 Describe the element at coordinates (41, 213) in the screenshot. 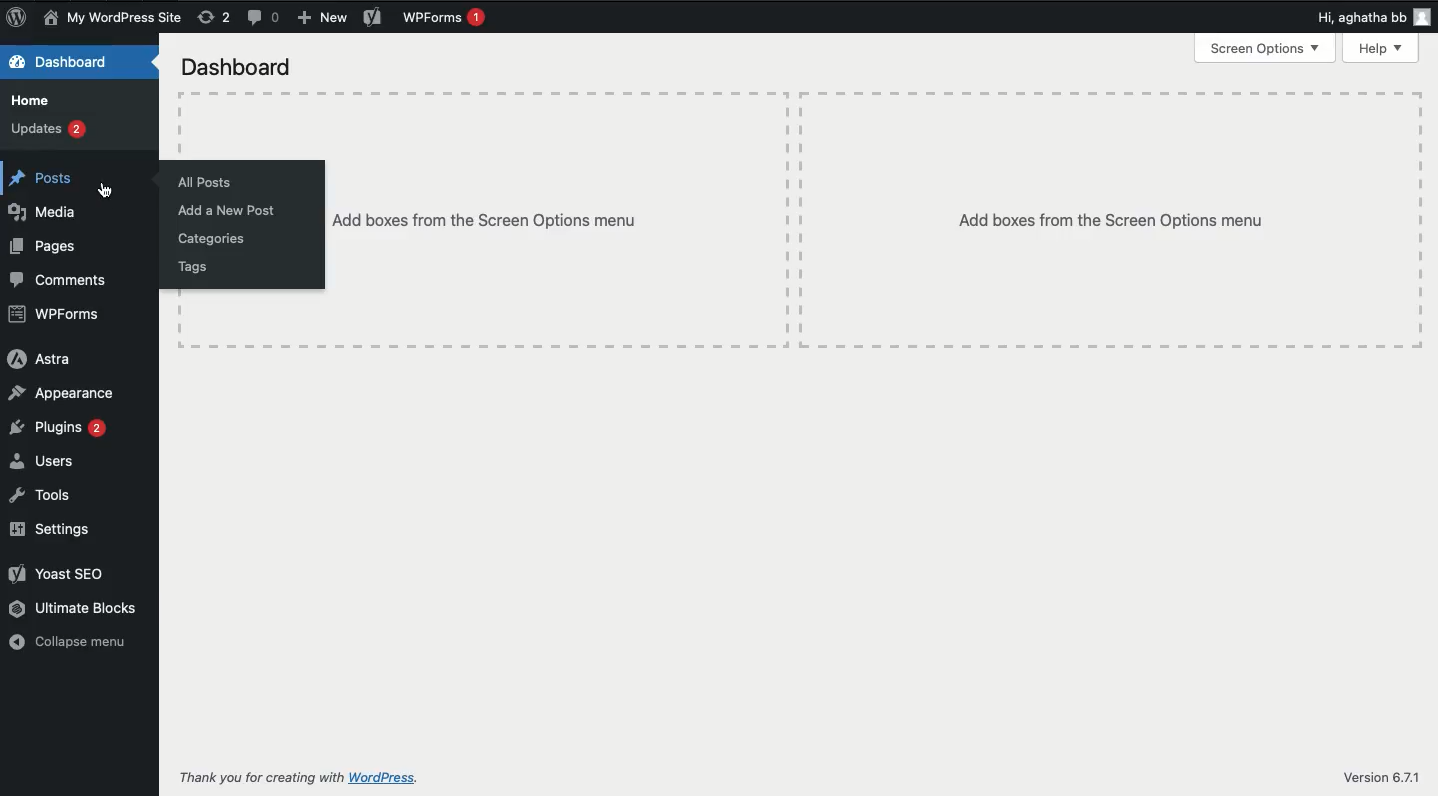

I see `Media` at that location.